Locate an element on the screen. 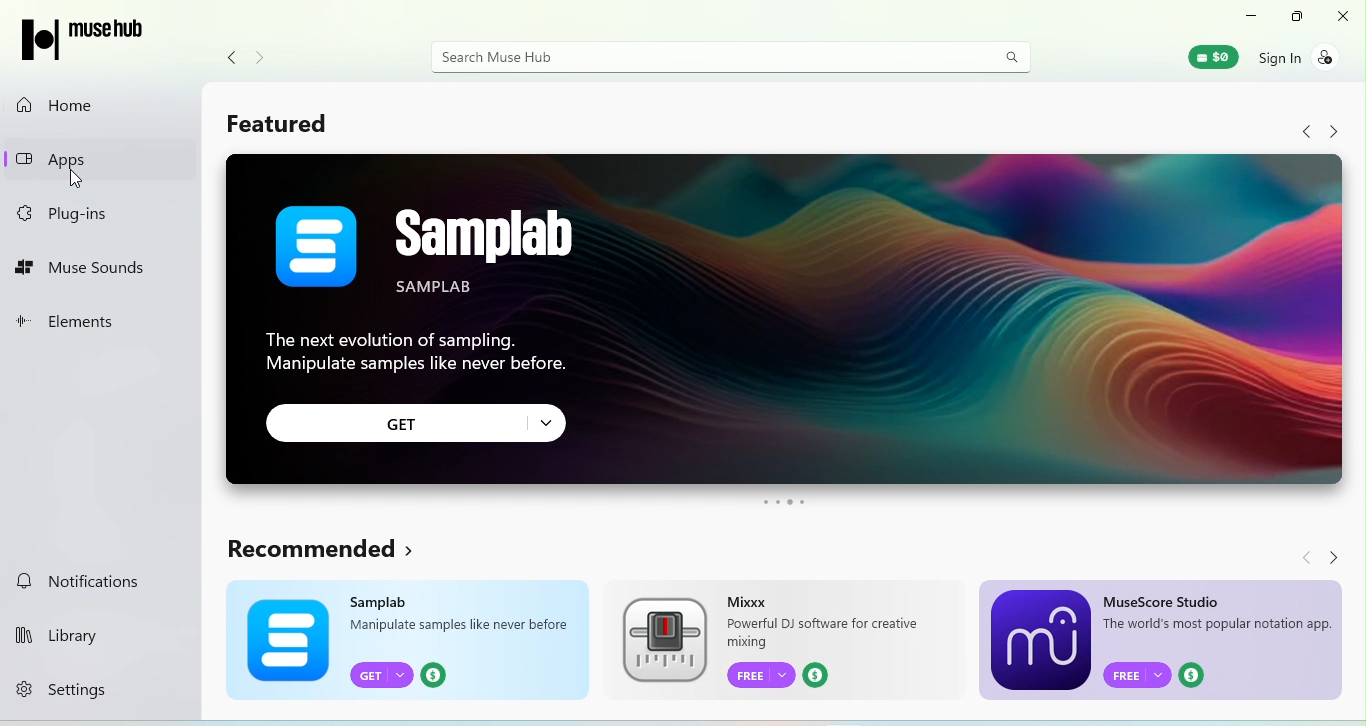 The image size is (1366, 726). Search Muse Hub  is located at coordinates (707, 59).